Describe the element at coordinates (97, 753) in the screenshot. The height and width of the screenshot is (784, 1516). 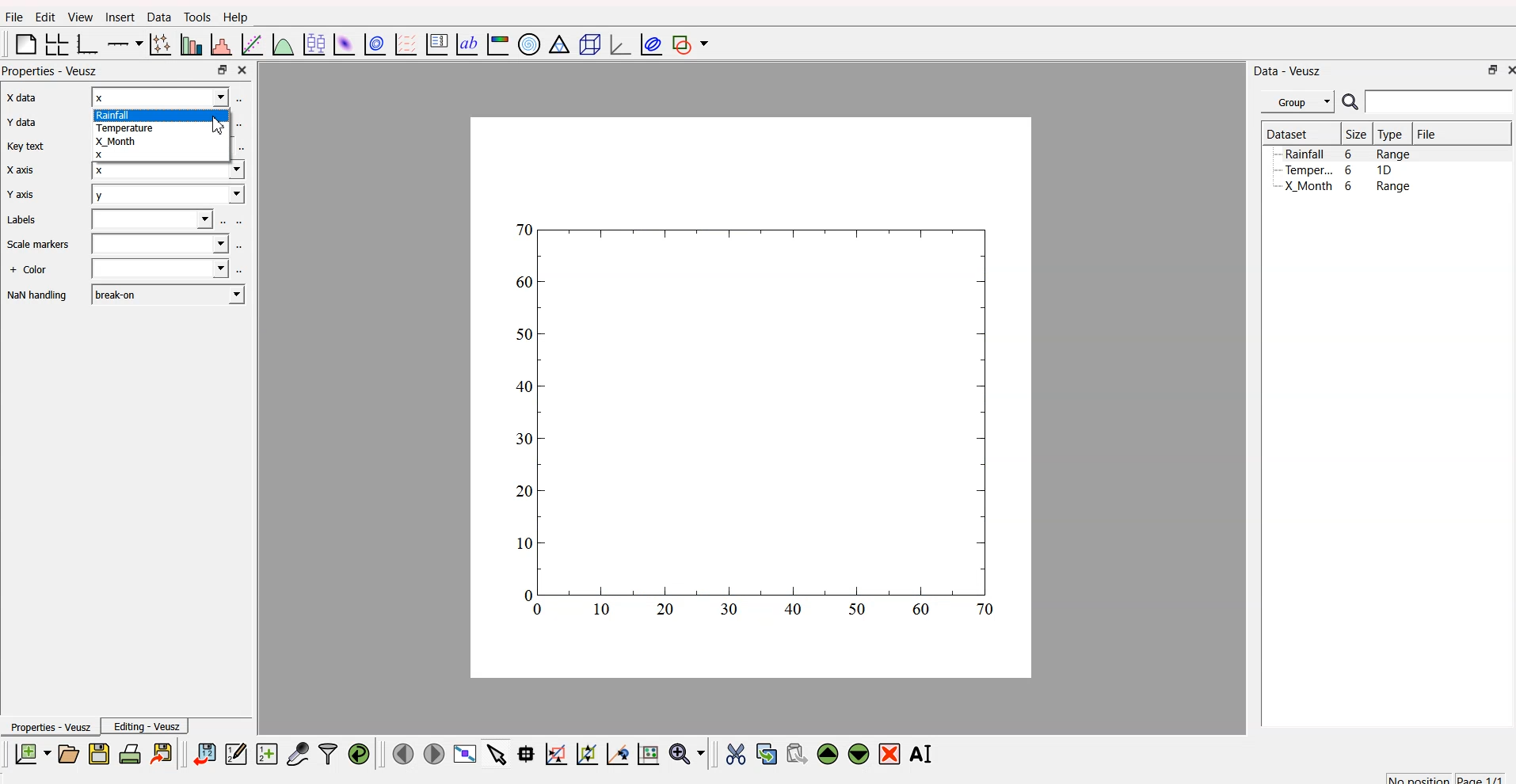
I see `save a document` at that location.